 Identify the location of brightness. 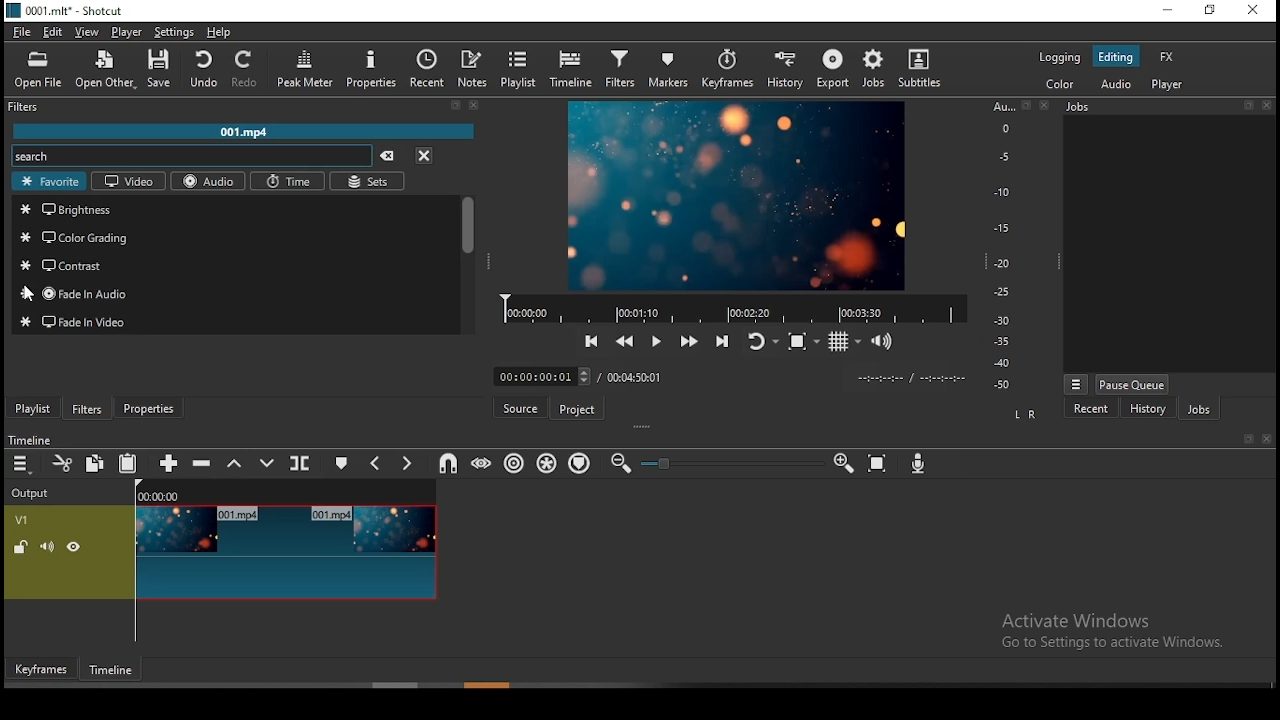
(235, 211).